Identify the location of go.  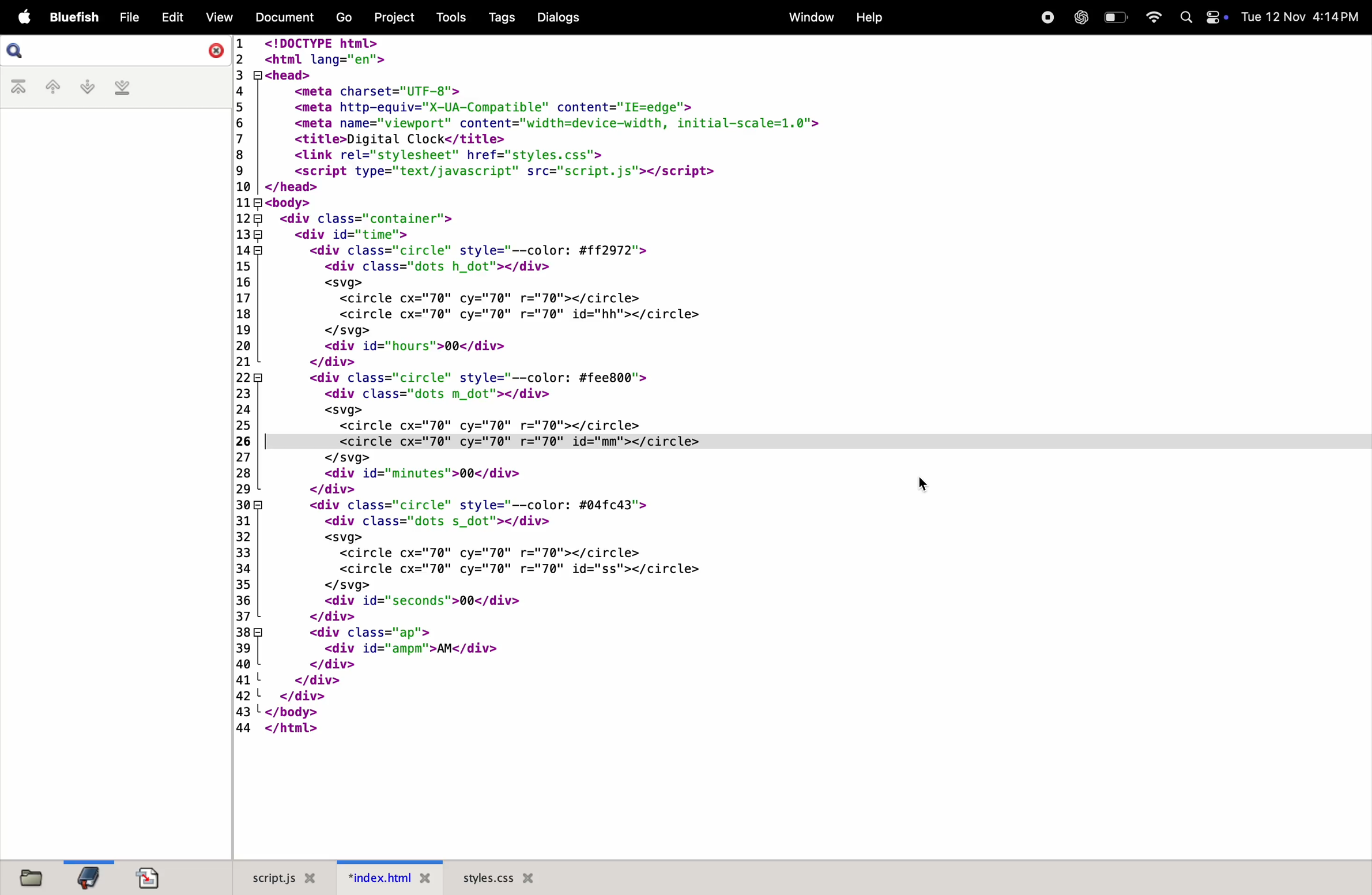
(342, 18).